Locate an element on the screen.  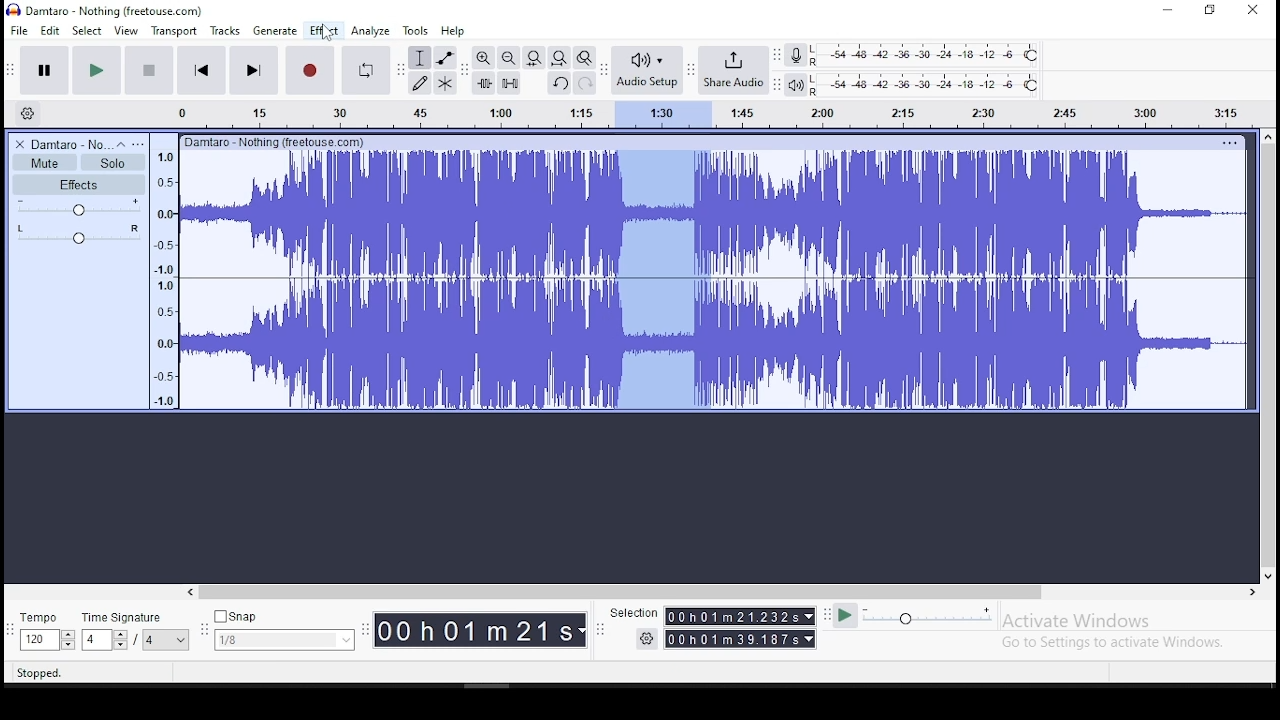
playback level is located at coordinates (926, 85).